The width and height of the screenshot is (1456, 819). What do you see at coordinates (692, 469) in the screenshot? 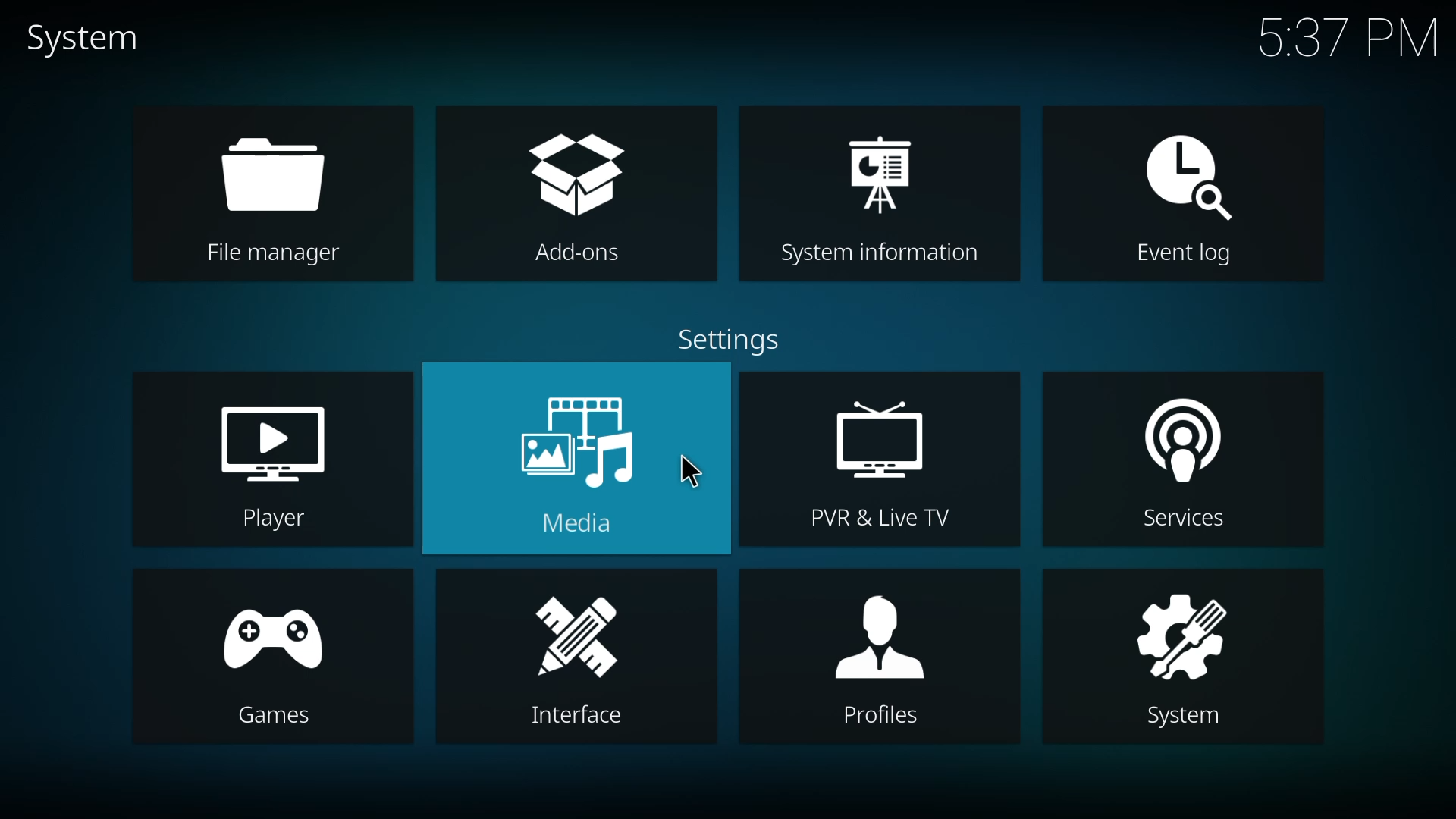
I see `cursor` at bounding box center [692, 469].